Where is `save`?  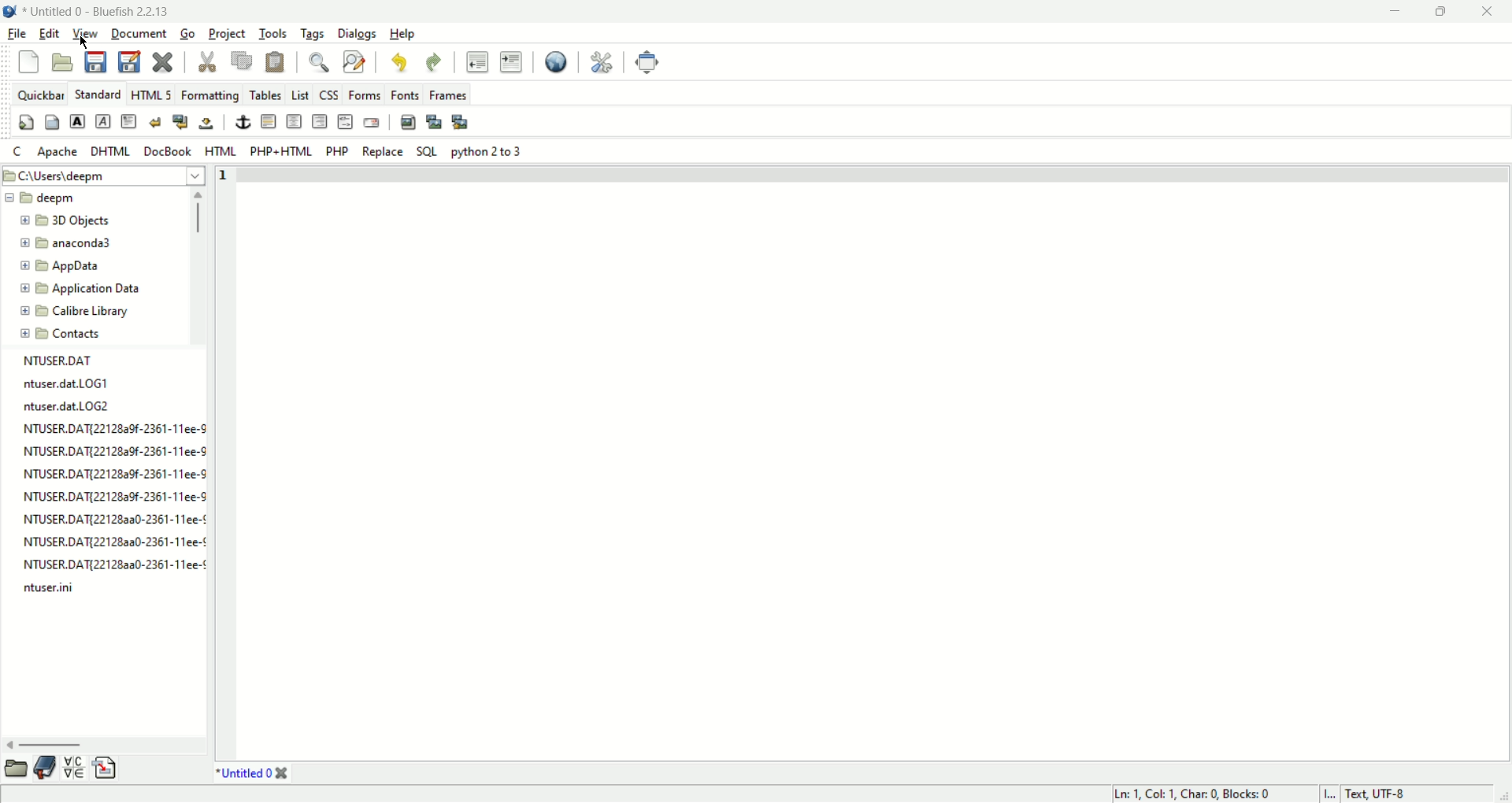
save is located at coordinates (94, 62).